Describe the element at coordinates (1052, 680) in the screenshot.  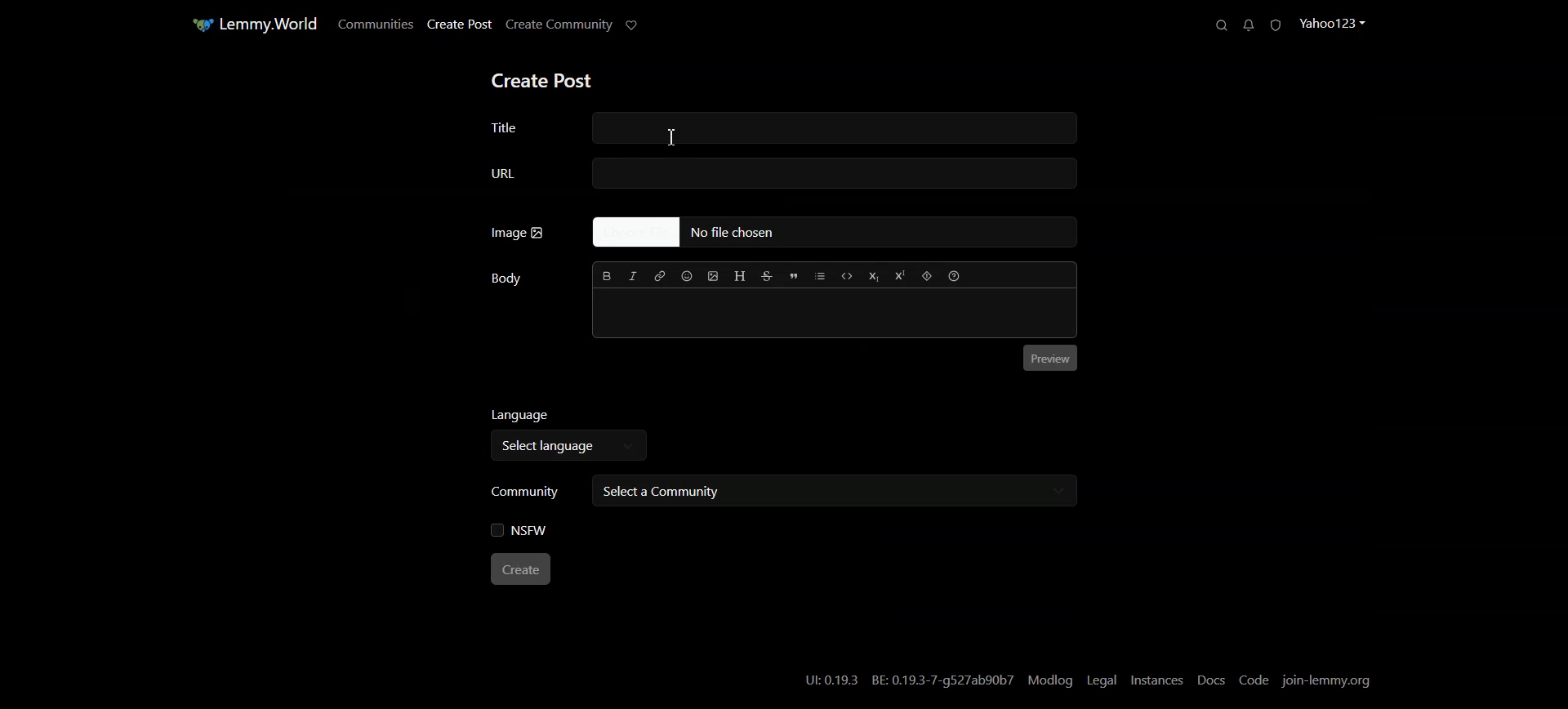
I see `Modlog` at that location.